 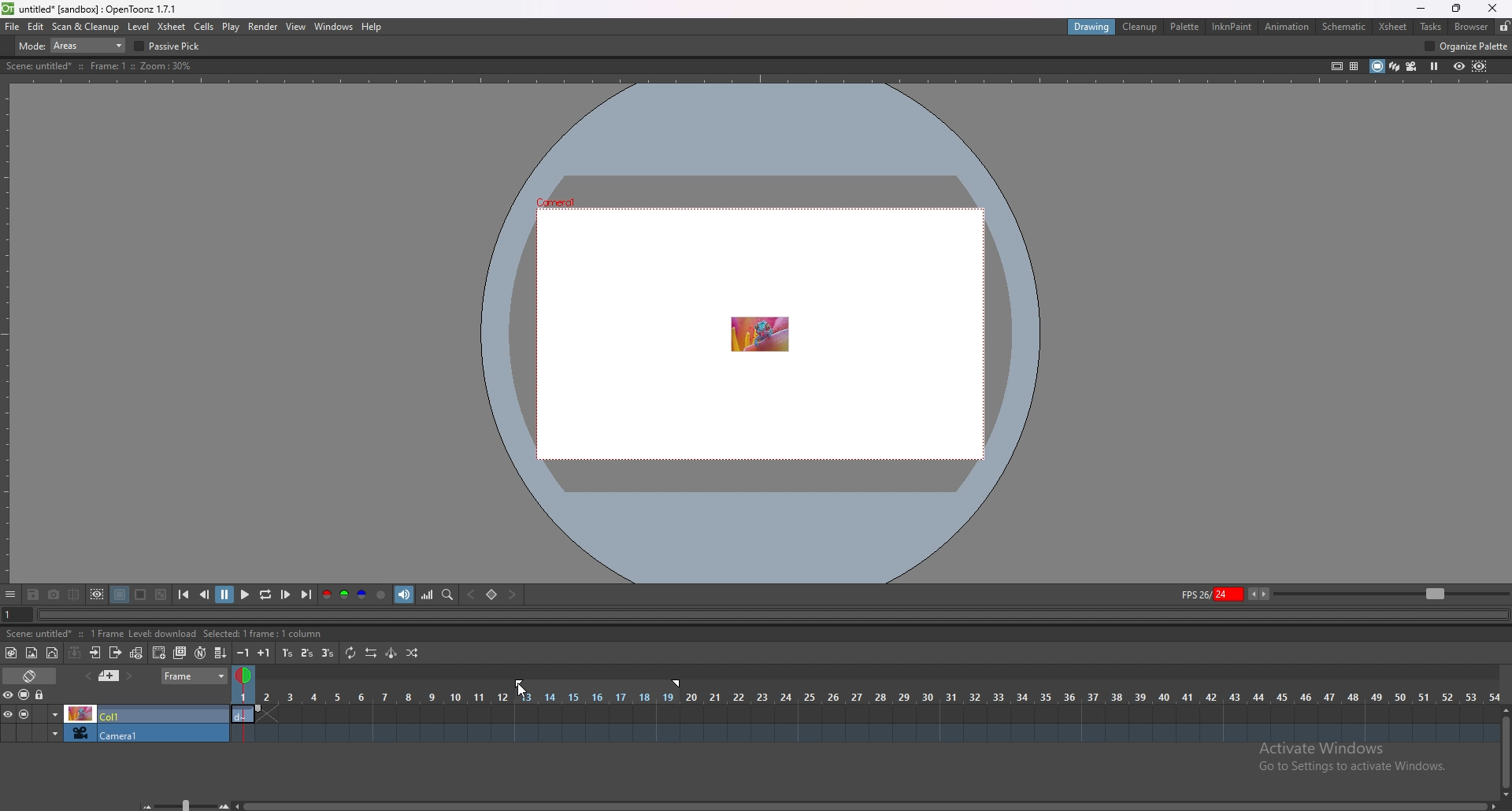 I want to click on play, so click(x=231, y=28).